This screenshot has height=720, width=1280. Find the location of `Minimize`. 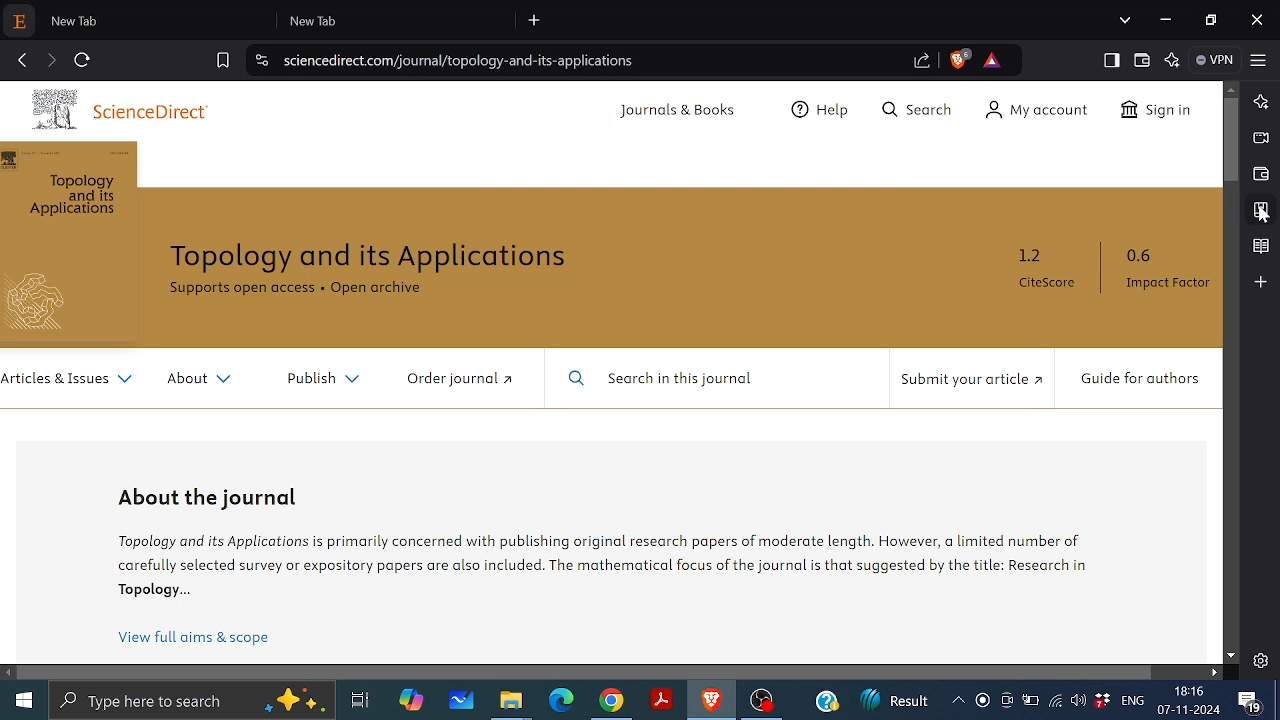

Minimize is located at coordinates (1167, 20).